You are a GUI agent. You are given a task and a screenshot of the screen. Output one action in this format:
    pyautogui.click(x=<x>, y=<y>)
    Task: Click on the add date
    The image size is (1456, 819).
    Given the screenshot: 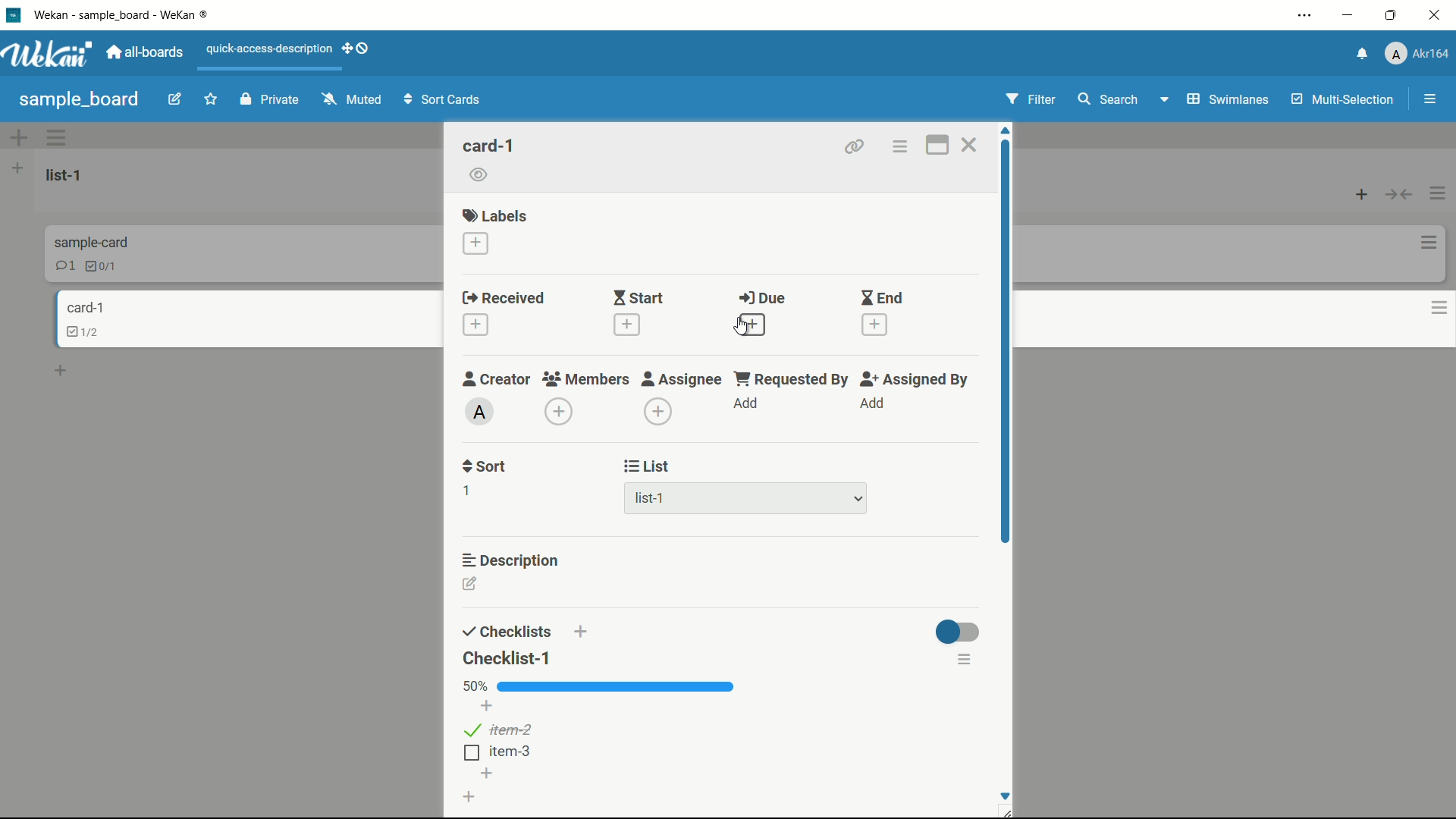 What is the action you would take?
    pyautogui.click(x=752, y=325)
    